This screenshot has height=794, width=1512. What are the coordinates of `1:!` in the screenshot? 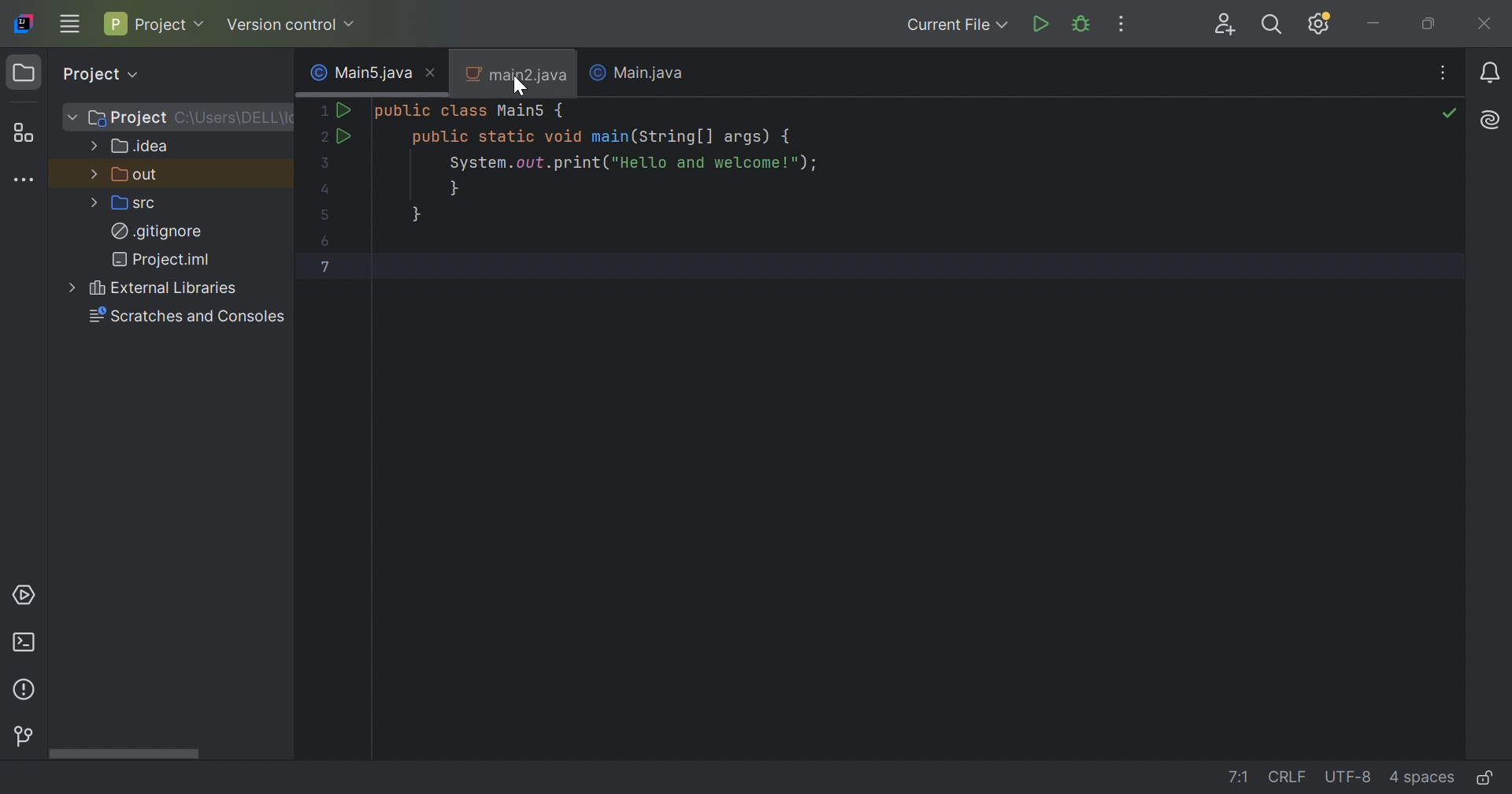 It's located at (1245, 780).